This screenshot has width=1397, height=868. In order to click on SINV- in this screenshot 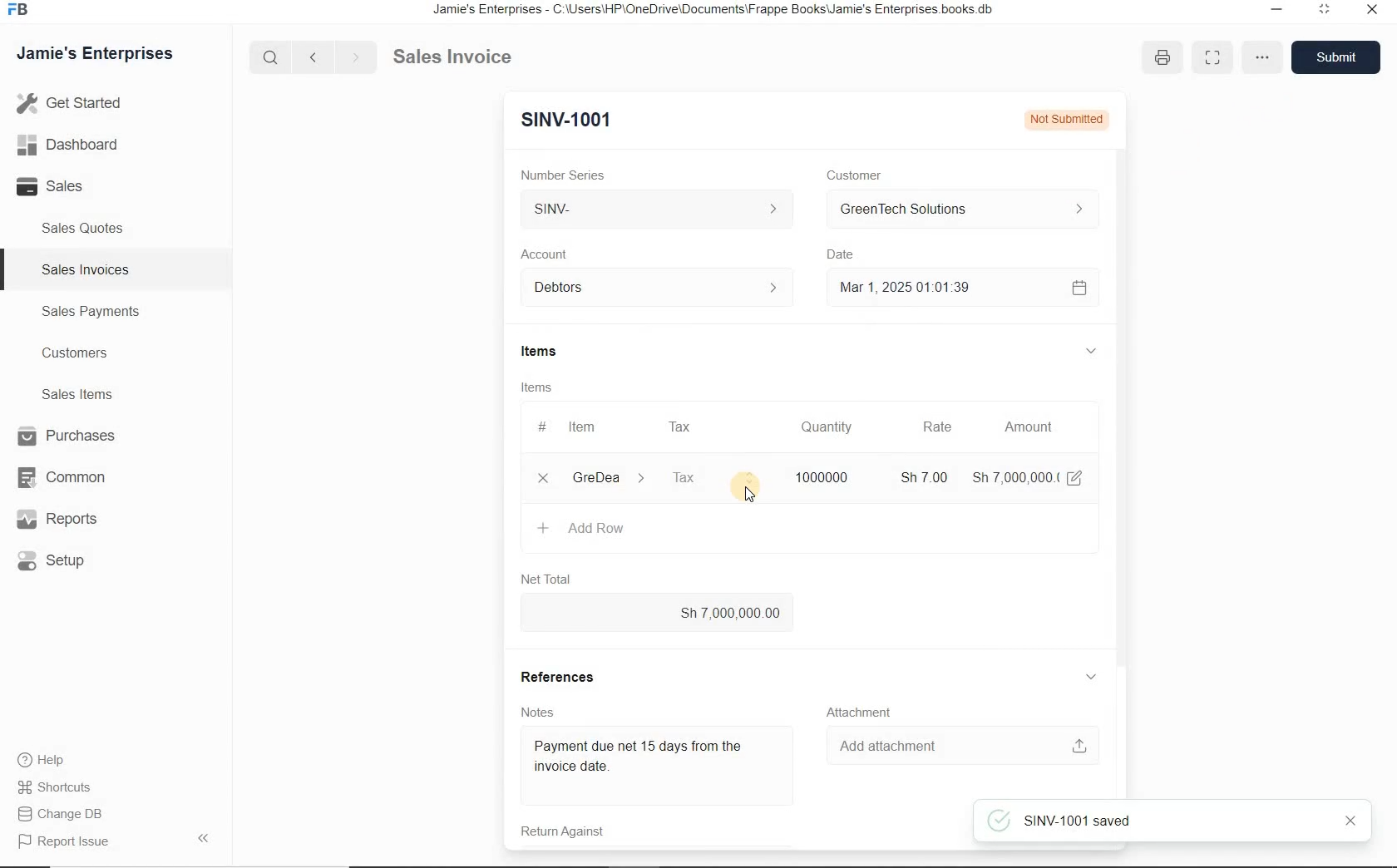, I will do `click(660, 211)`.